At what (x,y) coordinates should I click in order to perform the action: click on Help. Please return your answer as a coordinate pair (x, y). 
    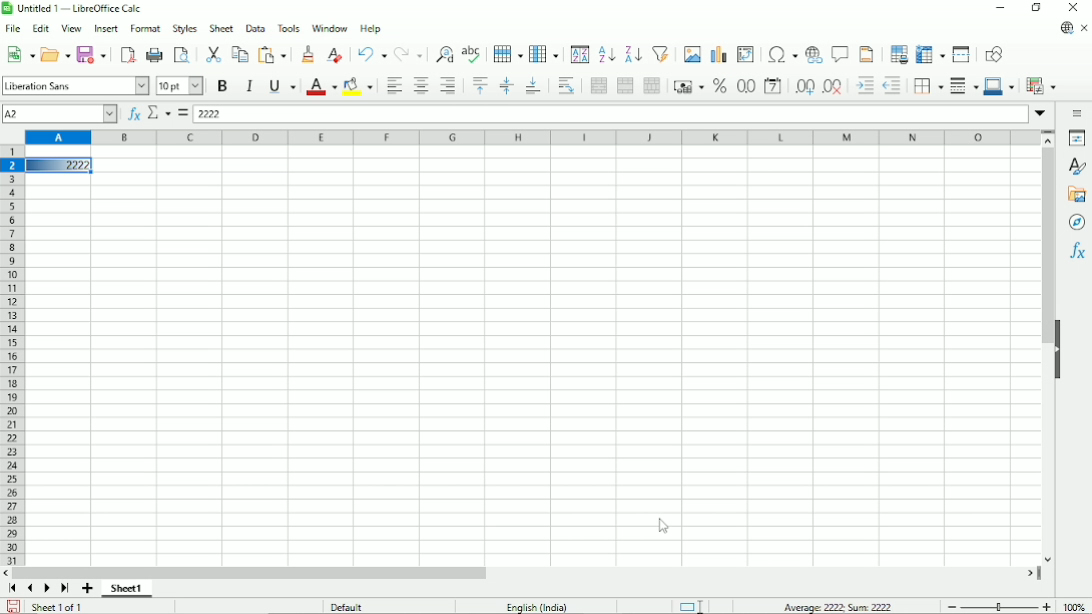
    Looking at the image, I should click on (371, 29).